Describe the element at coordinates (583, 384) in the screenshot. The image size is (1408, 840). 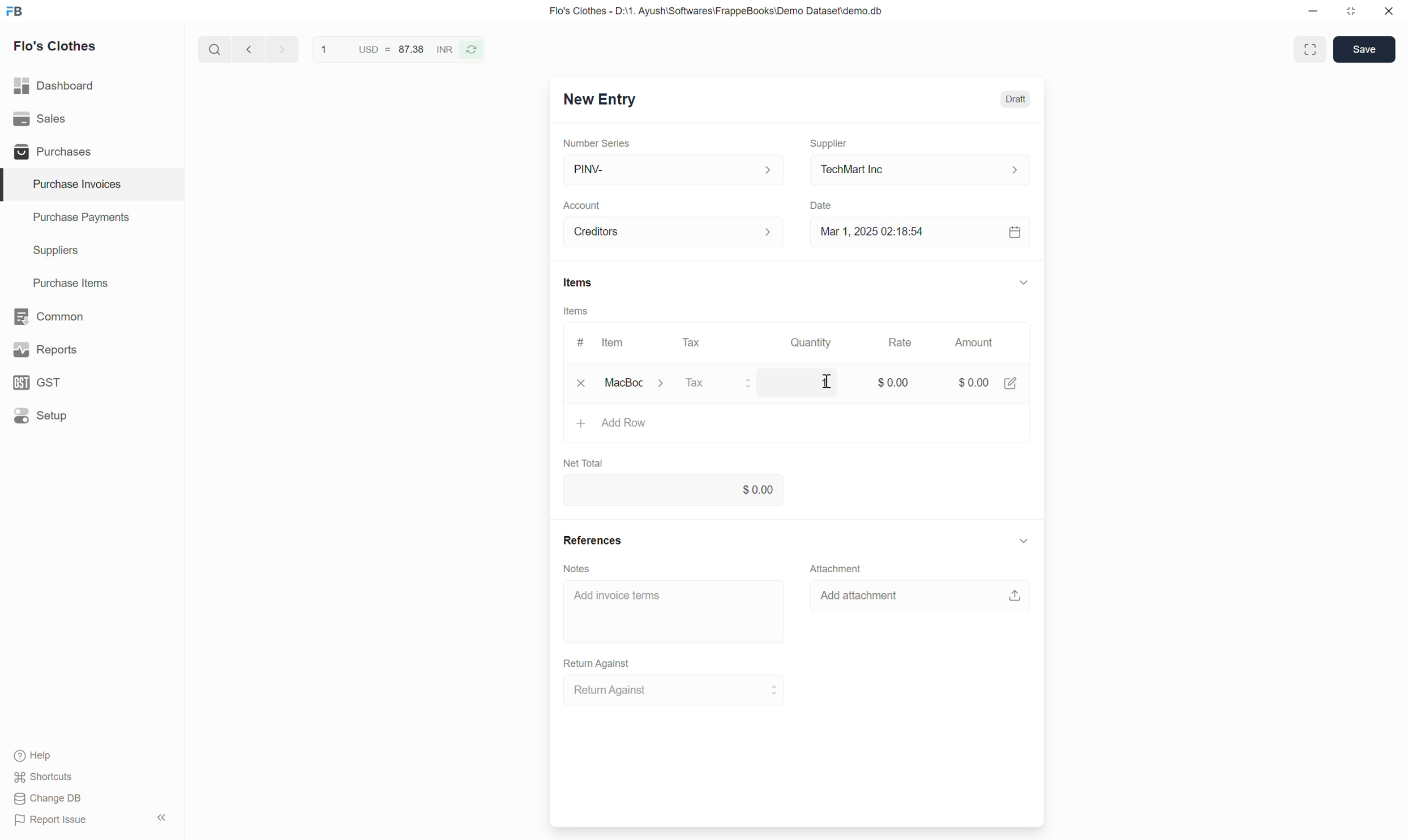
I see `clear/remove input` at that location.